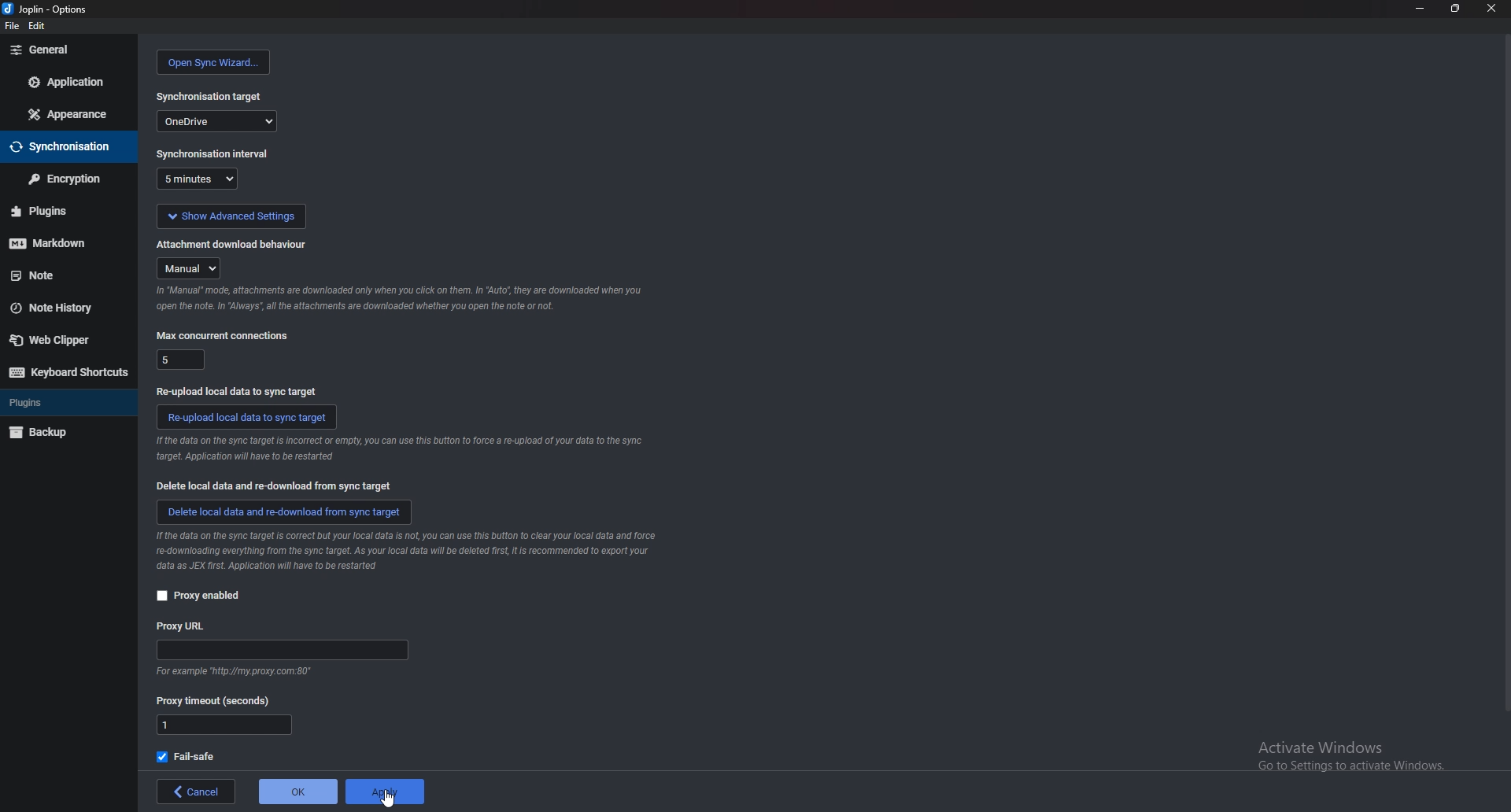  I want to click on info, so click(401, 448).